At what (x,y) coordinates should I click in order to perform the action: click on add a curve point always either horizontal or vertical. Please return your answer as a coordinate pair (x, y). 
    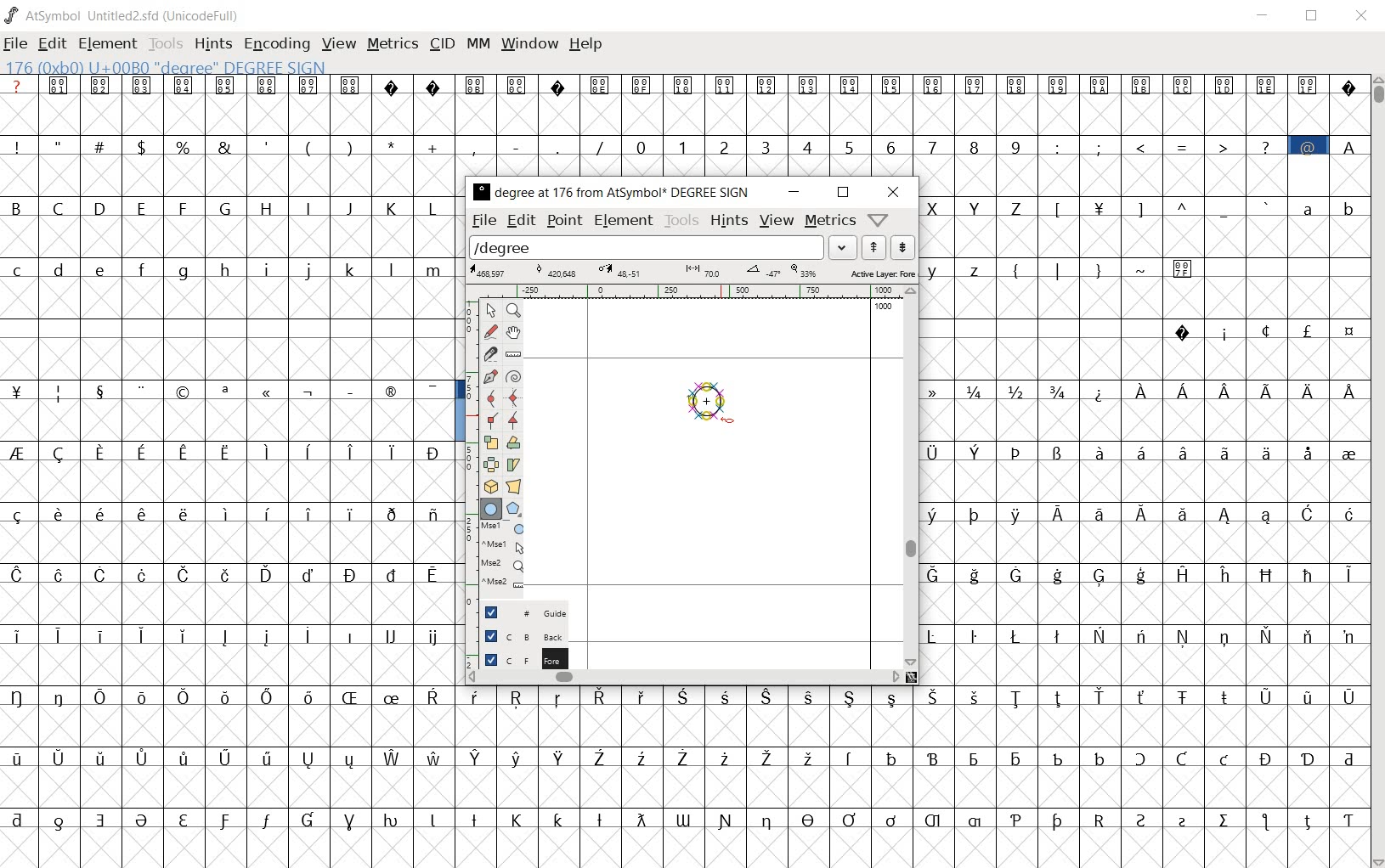
    Looking at the image, I should click on (515, 397).